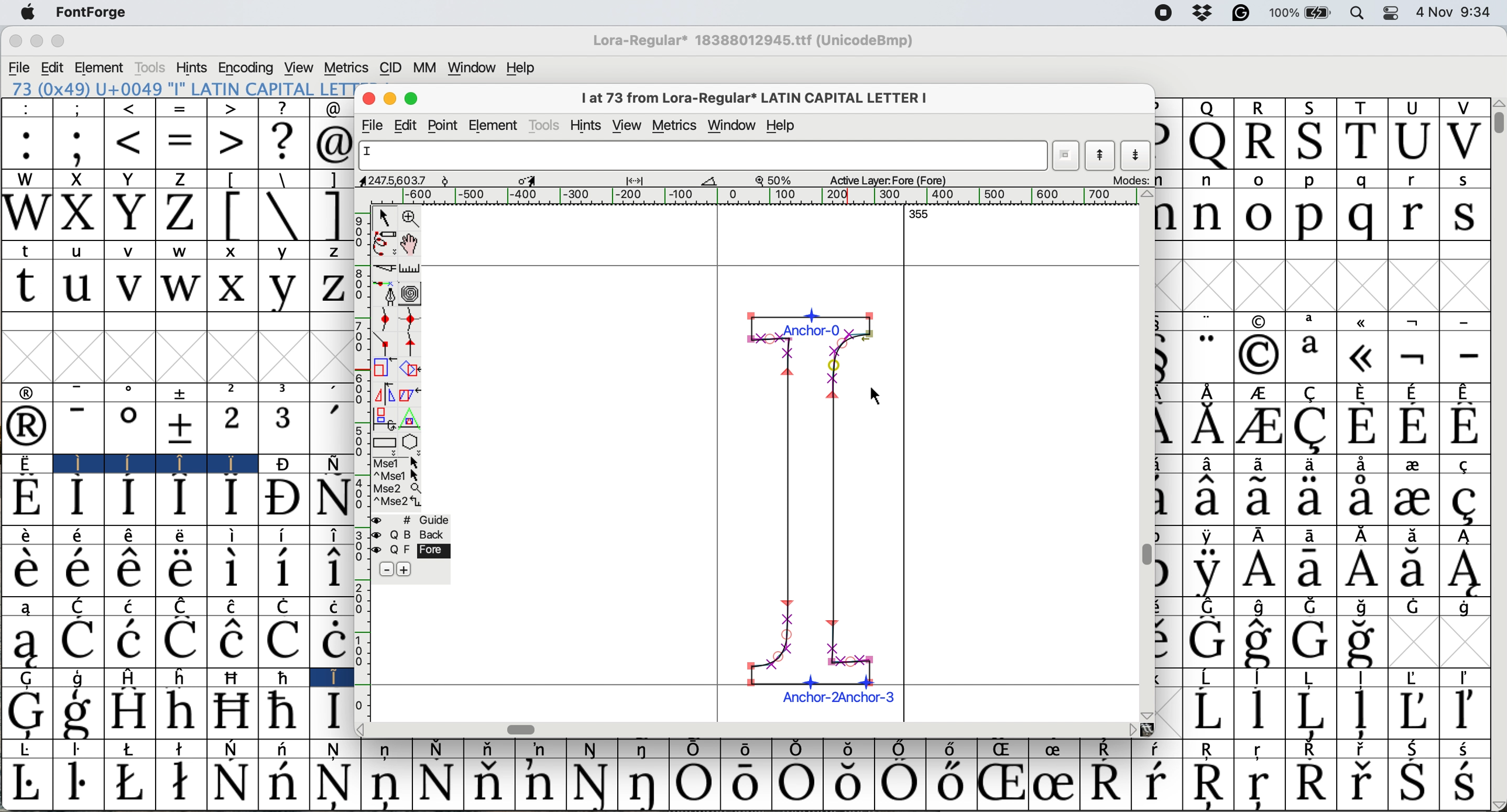 The height and width of the screenshot is (812, 1507). What do you see at coordinates (128, 429) in the screenshot?
I see `Symbol` at bounding box center [128, 429].